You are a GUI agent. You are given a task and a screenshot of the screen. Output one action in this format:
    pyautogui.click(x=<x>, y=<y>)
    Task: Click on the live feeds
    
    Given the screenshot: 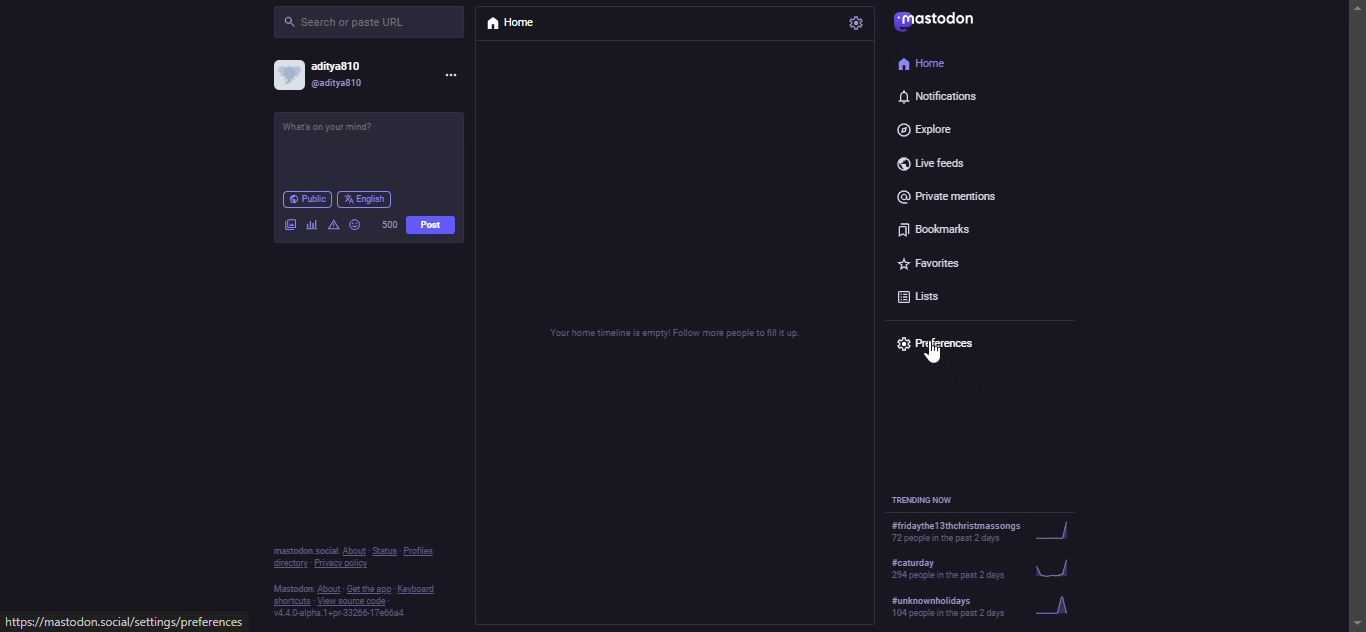 What is the action you would take?
    pyautogui.click(x=934, y=163)
    